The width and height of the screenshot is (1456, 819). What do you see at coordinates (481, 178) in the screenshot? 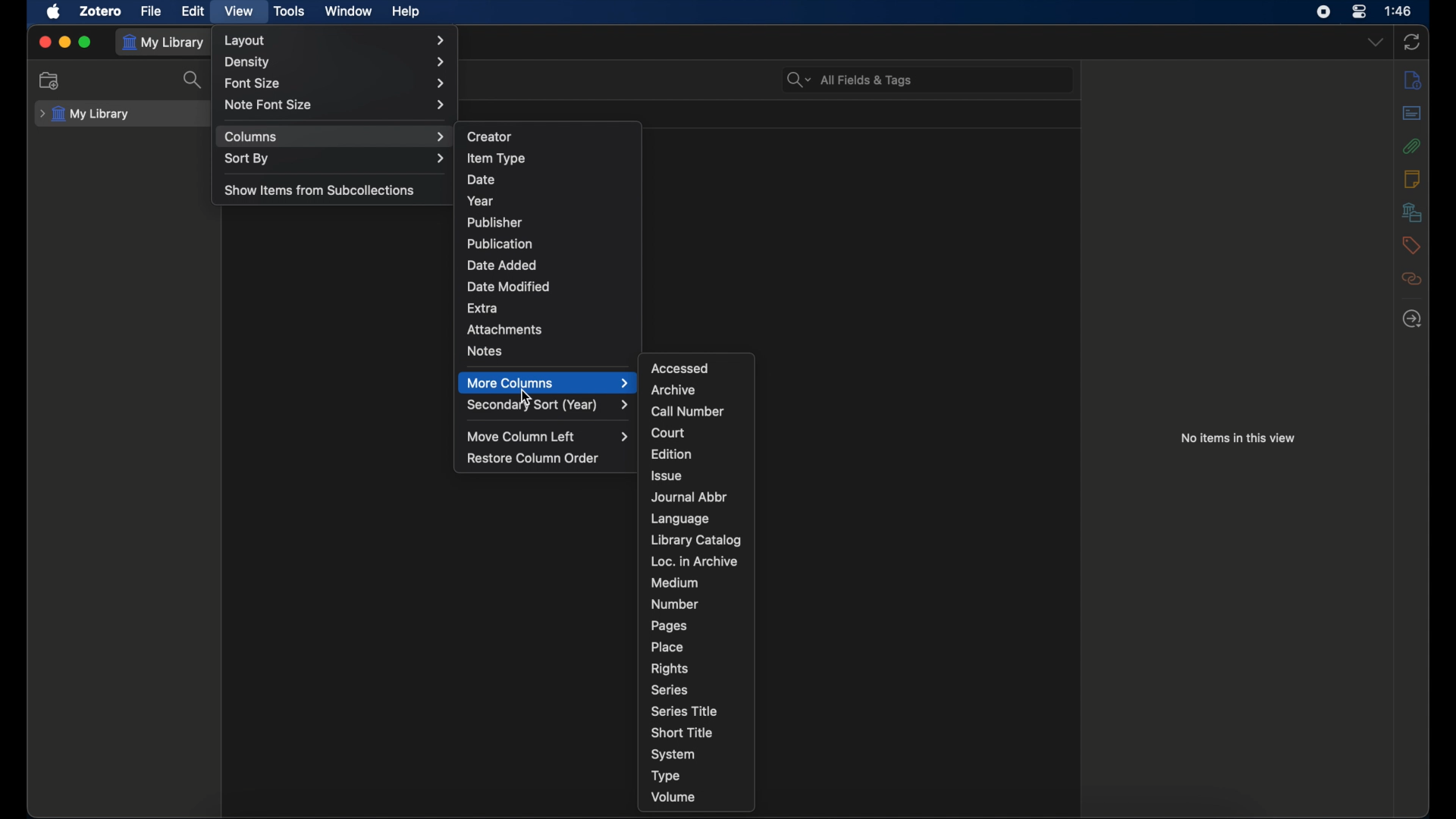
I see `date` at bounding box center [481, 178].